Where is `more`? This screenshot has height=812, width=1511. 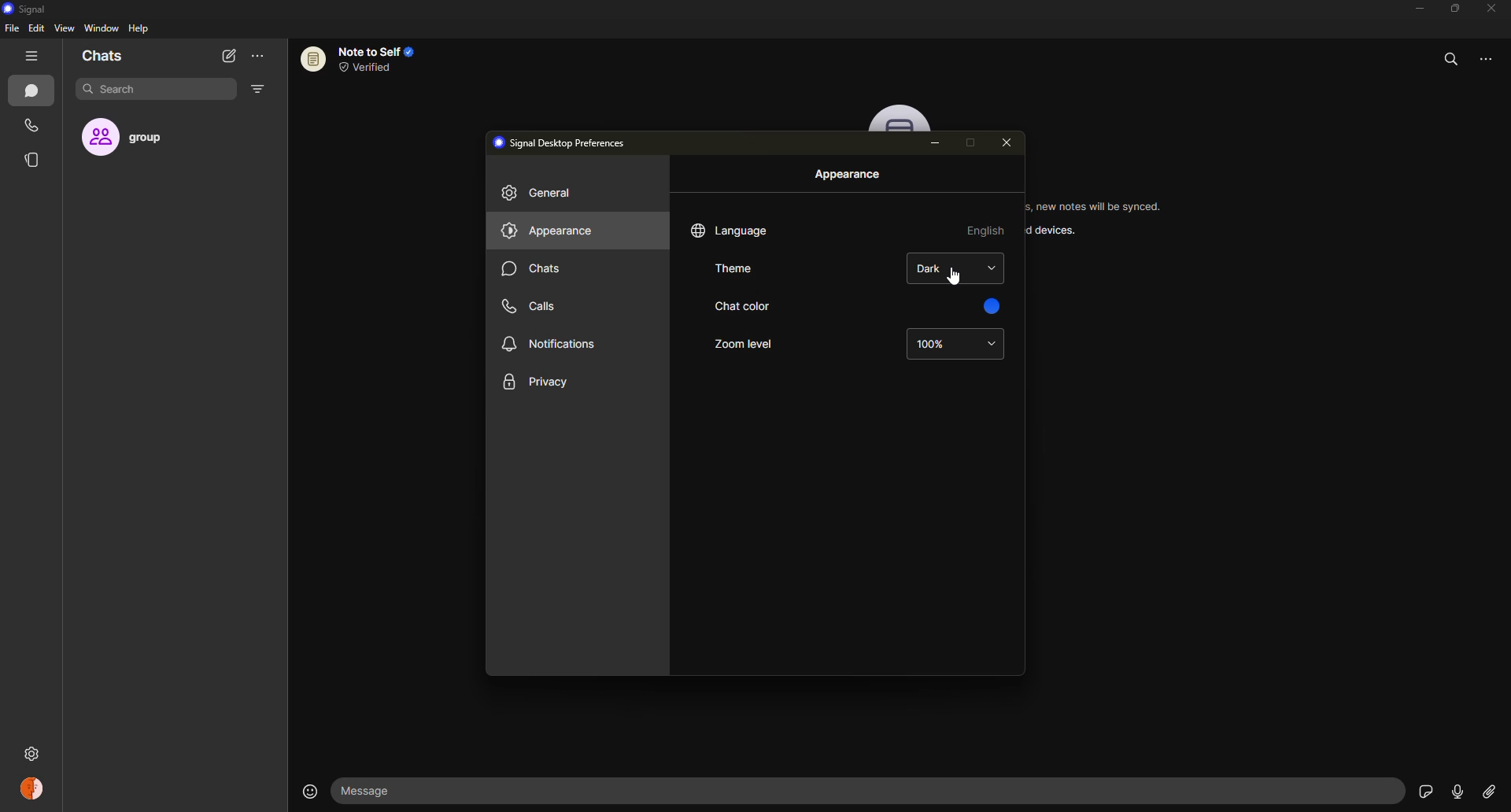
more is located at coordinates (257, 57).